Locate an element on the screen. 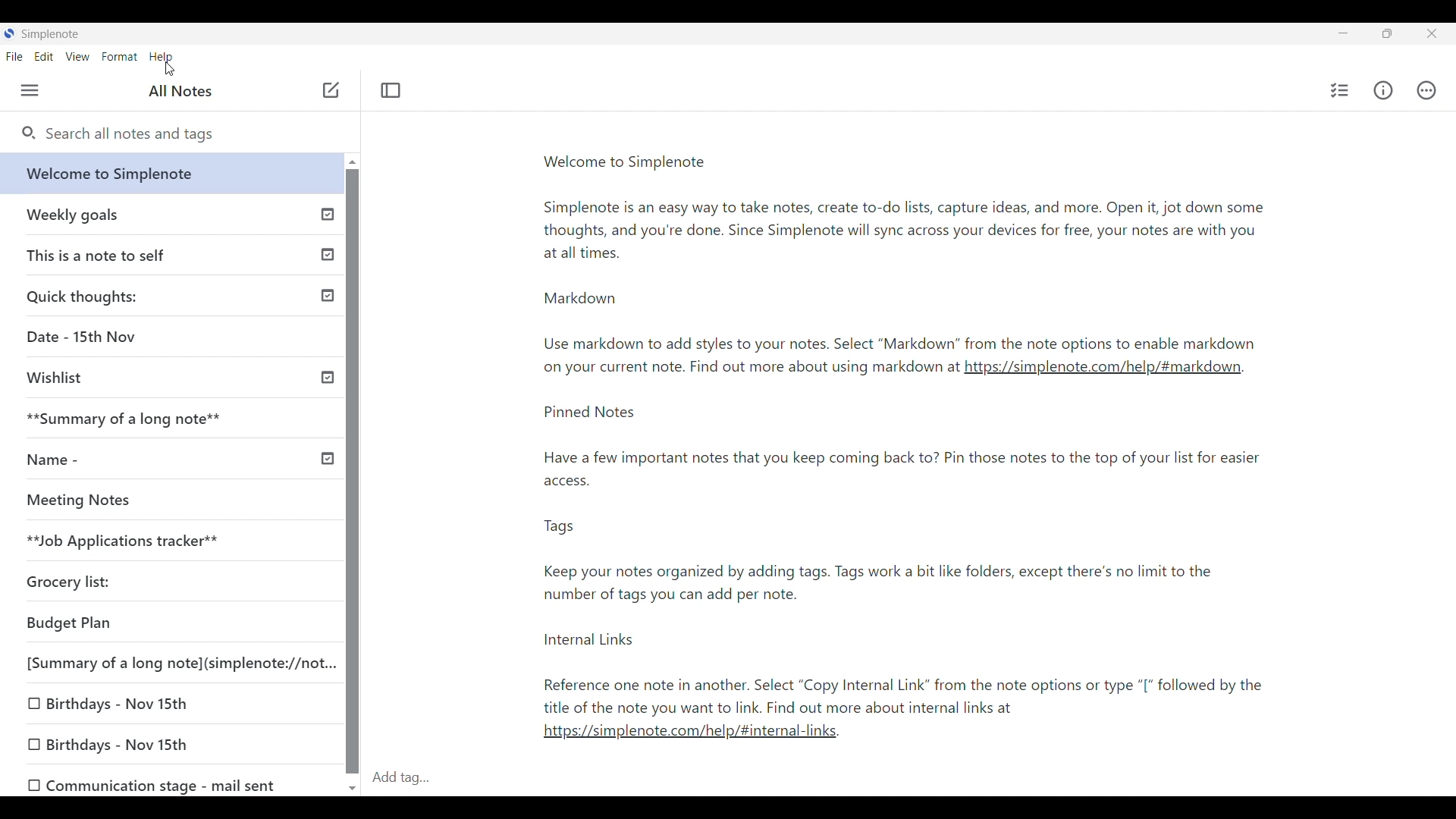 The height and width of the screenshot is (819, 1456). All notes is located at coordinates (180, 91).